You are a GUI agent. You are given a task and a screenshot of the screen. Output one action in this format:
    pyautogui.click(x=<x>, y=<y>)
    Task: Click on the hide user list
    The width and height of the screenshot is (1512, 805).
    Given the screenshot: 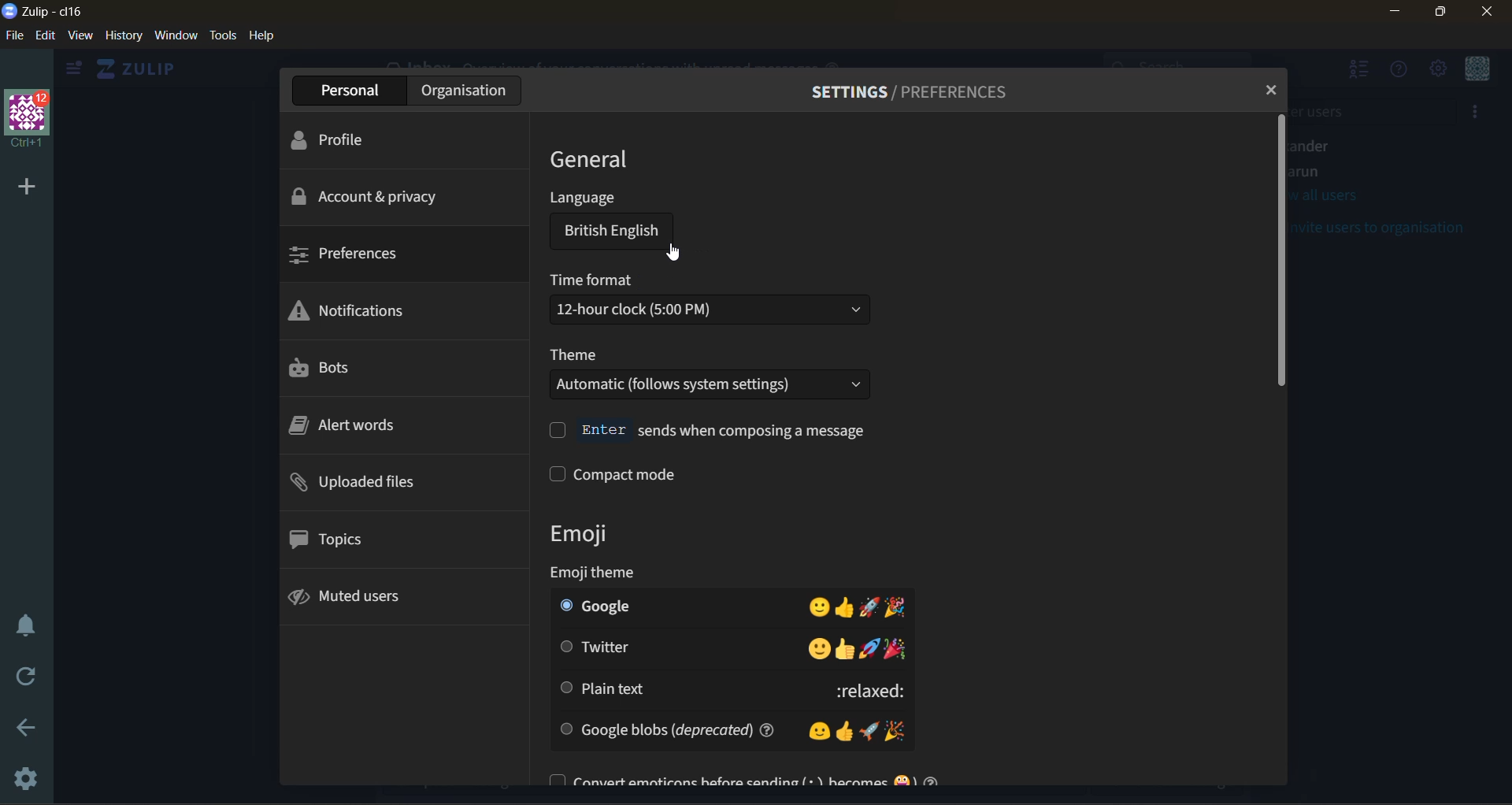 What is the action you would take?
    pyautogui.click(x=1361, y=72)
    